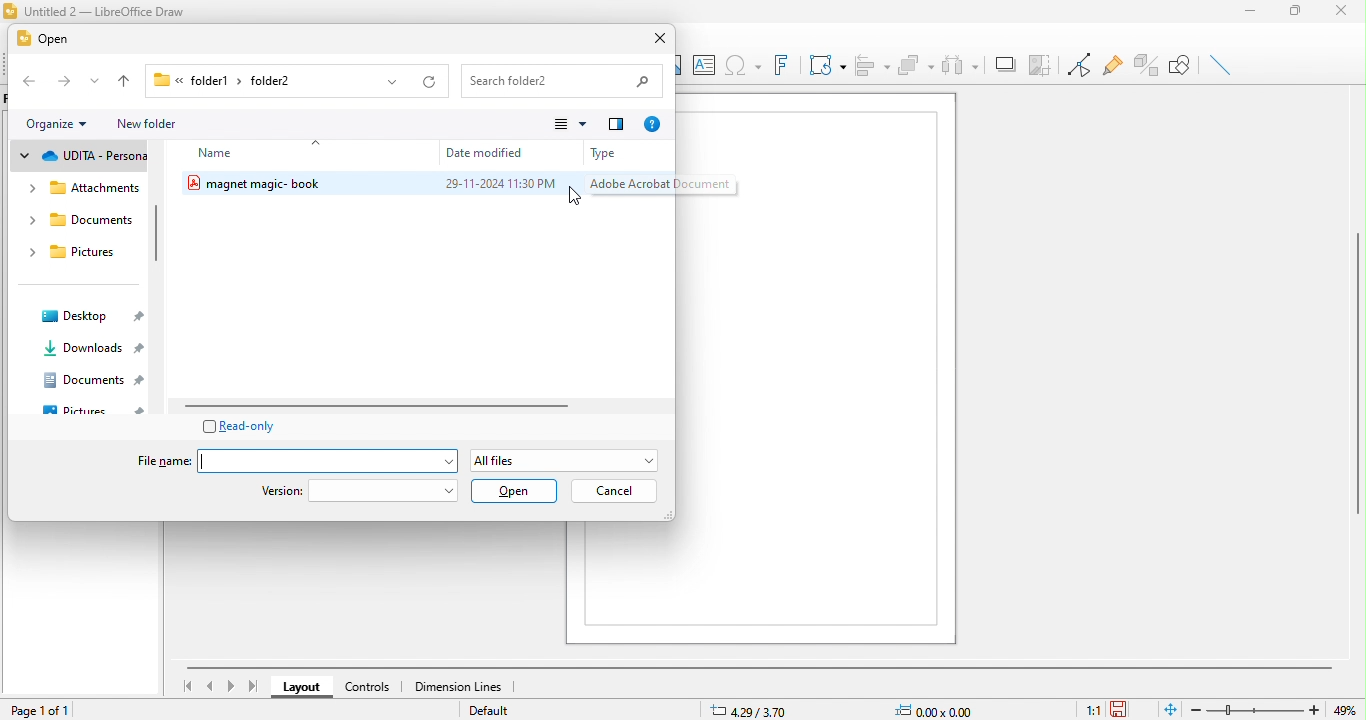 This screenshot has width=1366, height=720. Describe the element at coordinates (937, 707) in the screenshot. I see `0.00x0.00` at that location.